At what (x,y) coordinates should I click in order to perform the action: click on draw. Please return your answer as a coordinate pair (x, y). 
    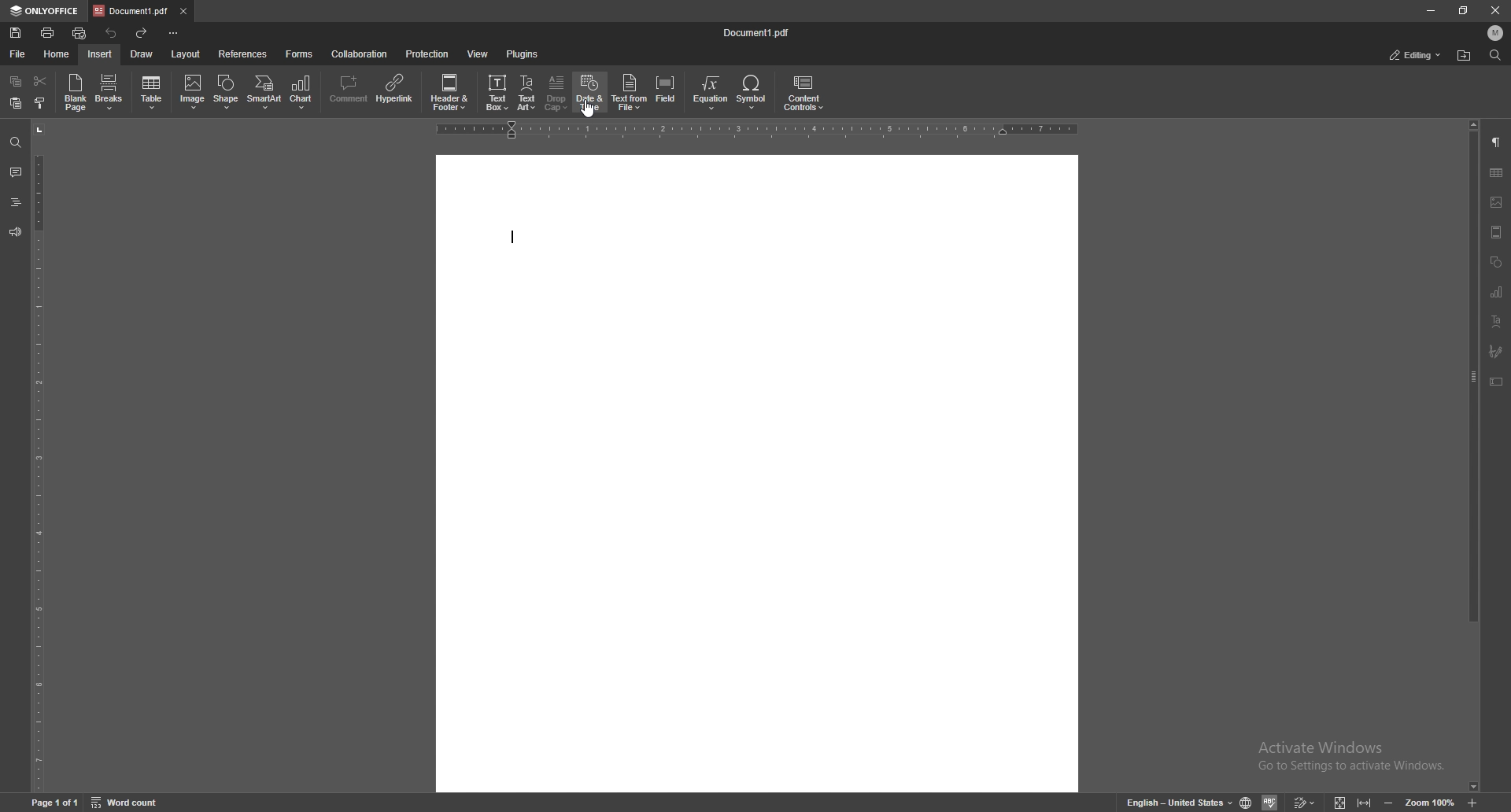
    Looking at the image, I should click on (142, 54).